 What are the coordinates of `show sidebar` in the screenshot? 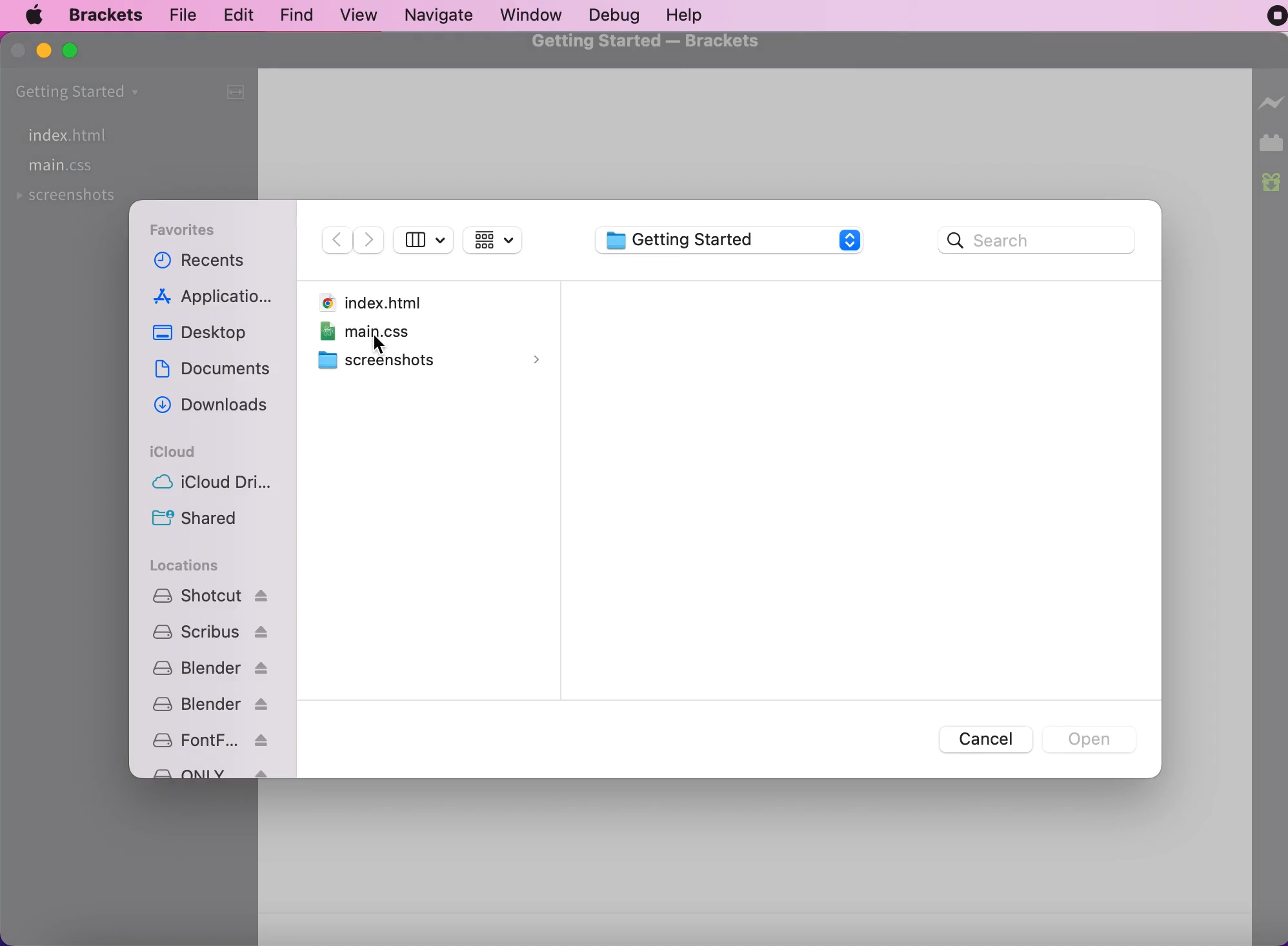 It's located at (424, 242).